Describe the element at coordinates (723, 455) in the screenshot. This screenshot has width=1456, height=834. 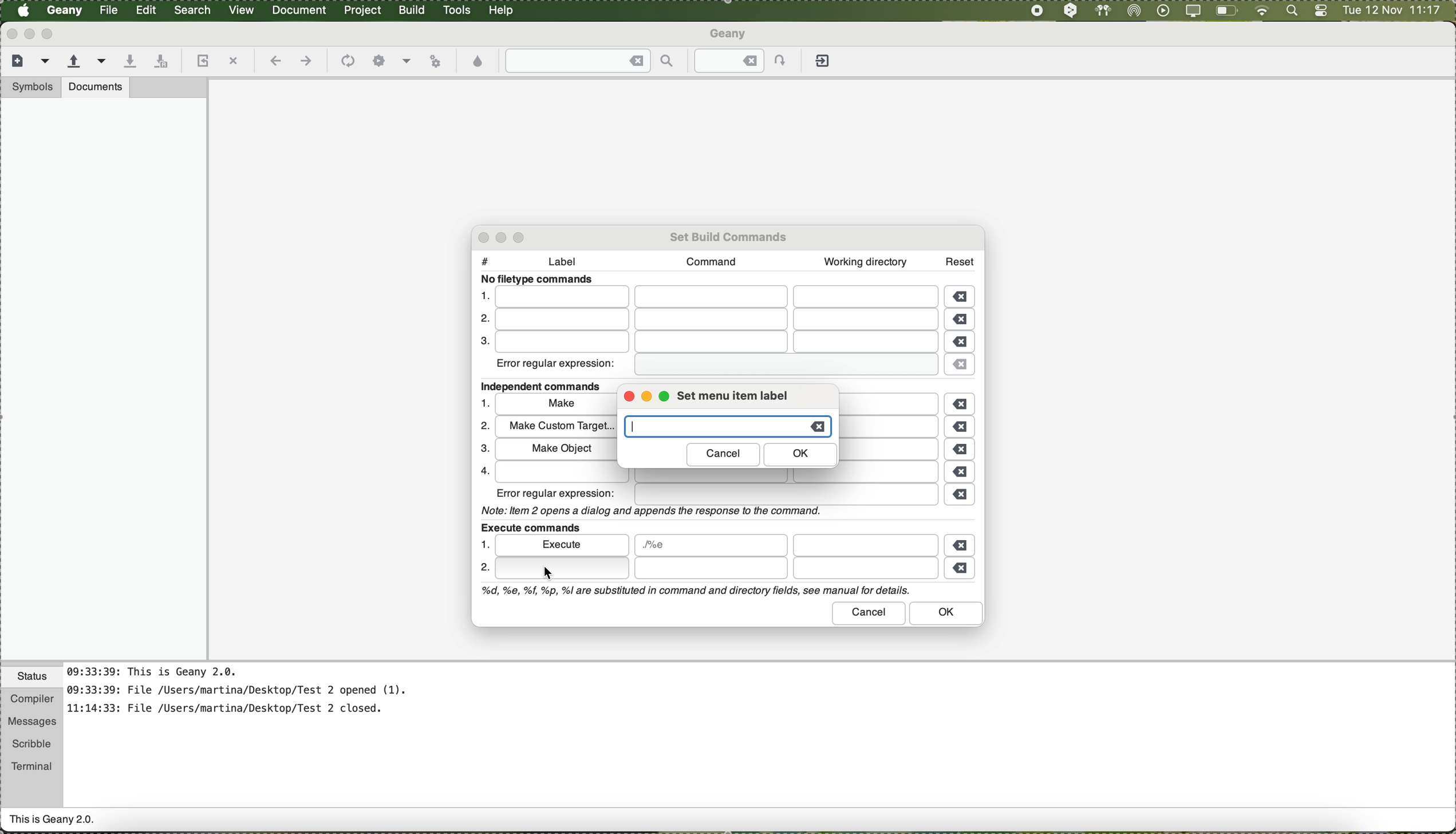
I see `cancel button` at that location.